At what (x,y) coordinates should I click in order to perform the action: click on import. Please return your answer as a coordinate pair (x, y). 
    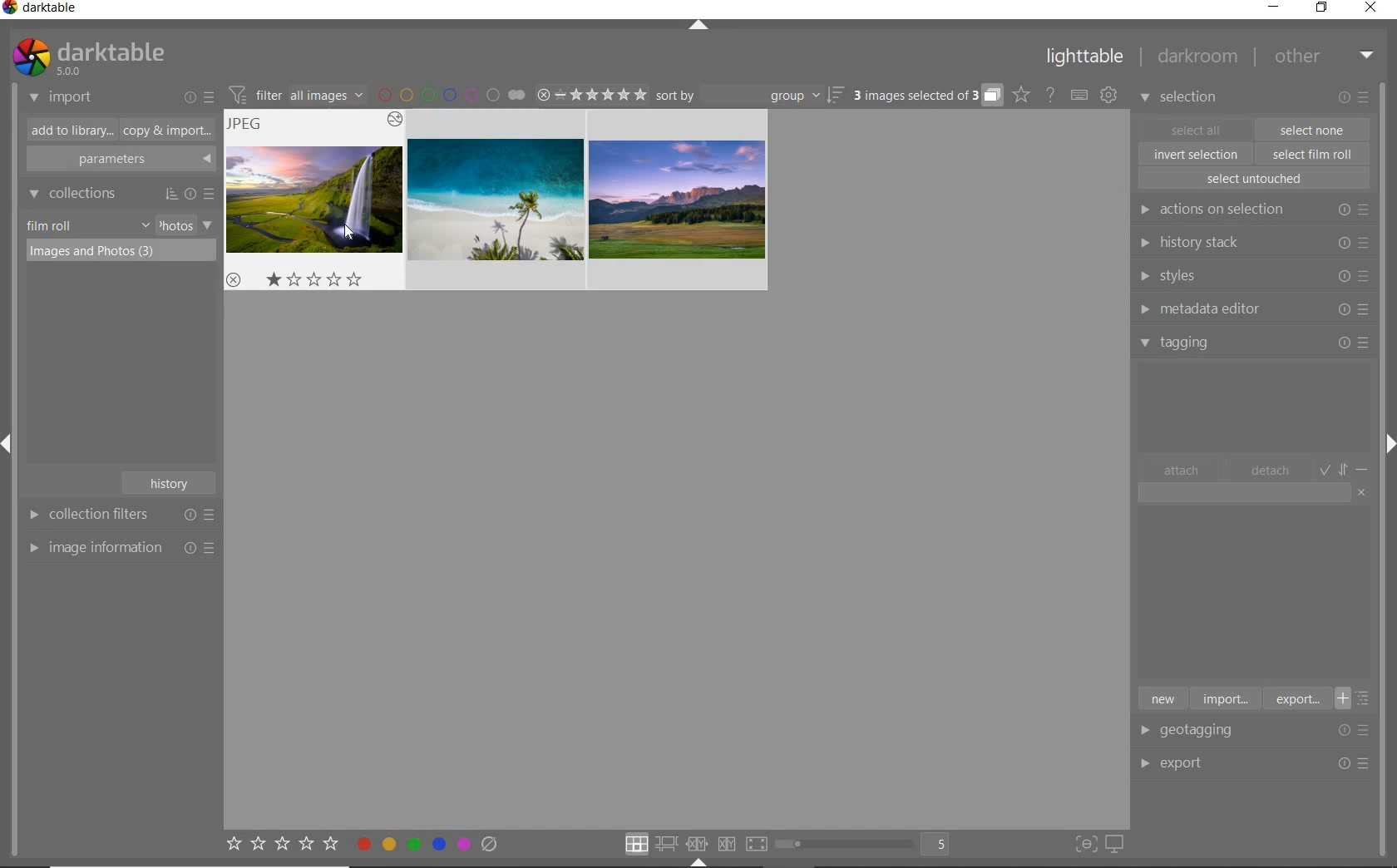
    Looking at the image, I should click on (62, 98).